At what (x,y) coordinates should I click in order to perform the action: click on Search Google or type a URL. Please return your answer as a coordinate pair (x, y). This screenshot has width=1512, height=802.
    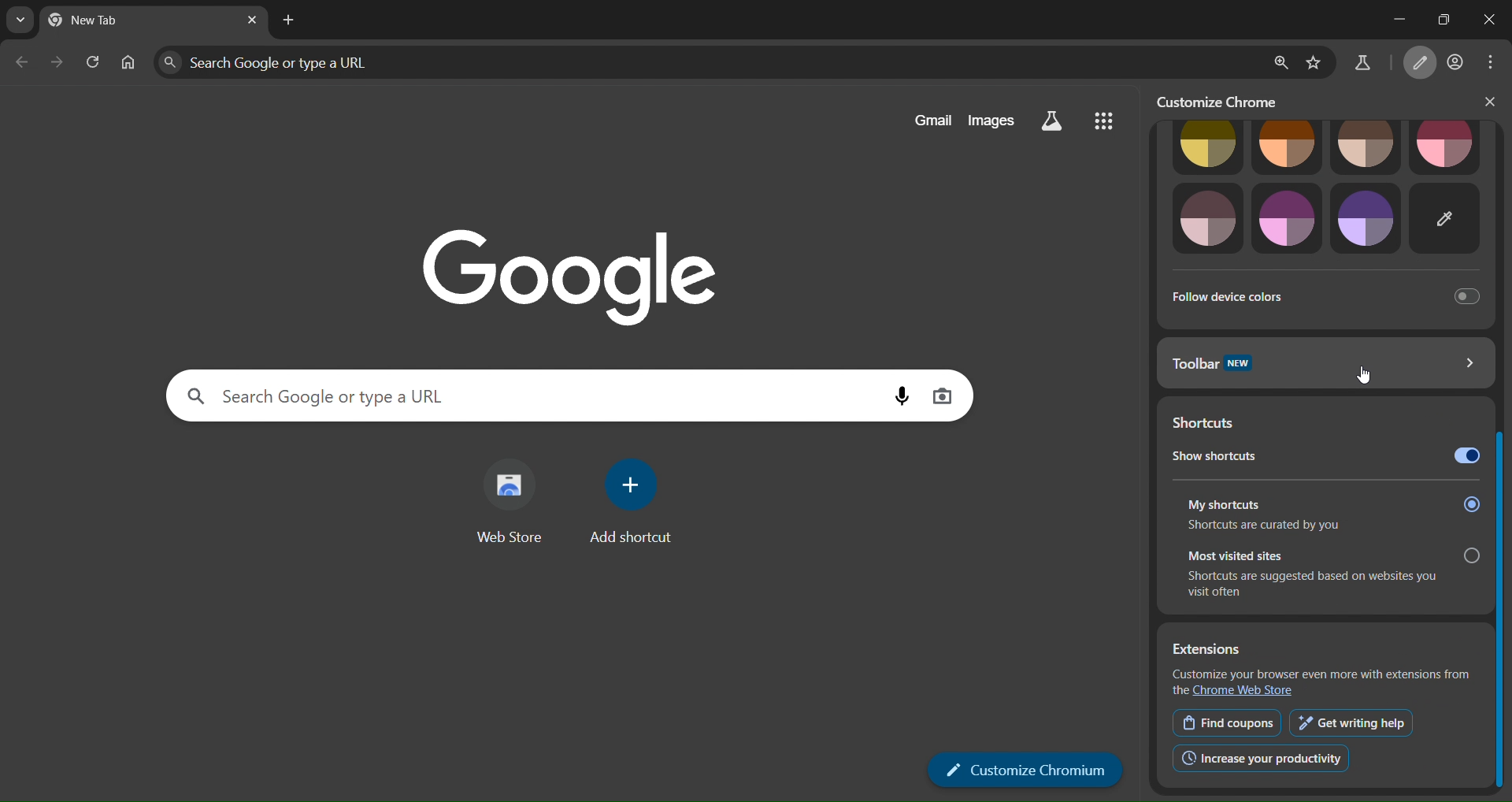
    Looking at the image, I should click on (706, 62).